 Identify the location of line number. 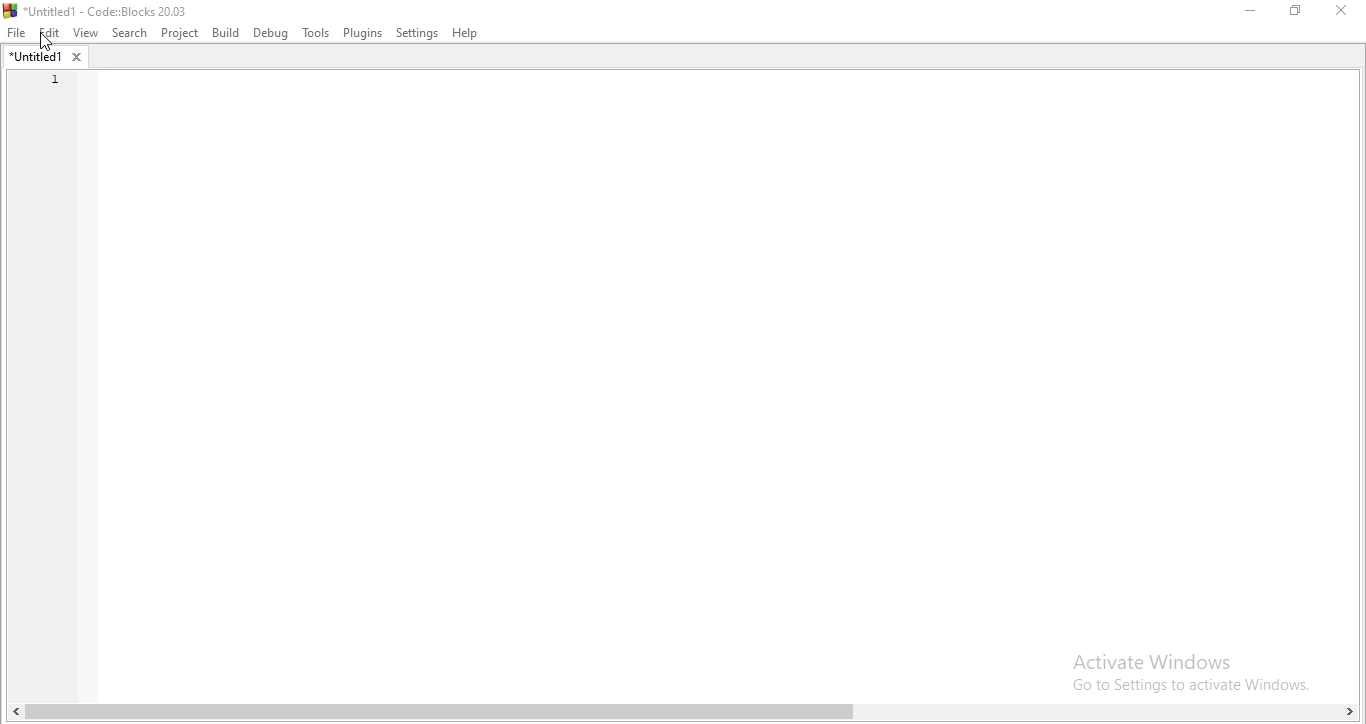
(56, 79).